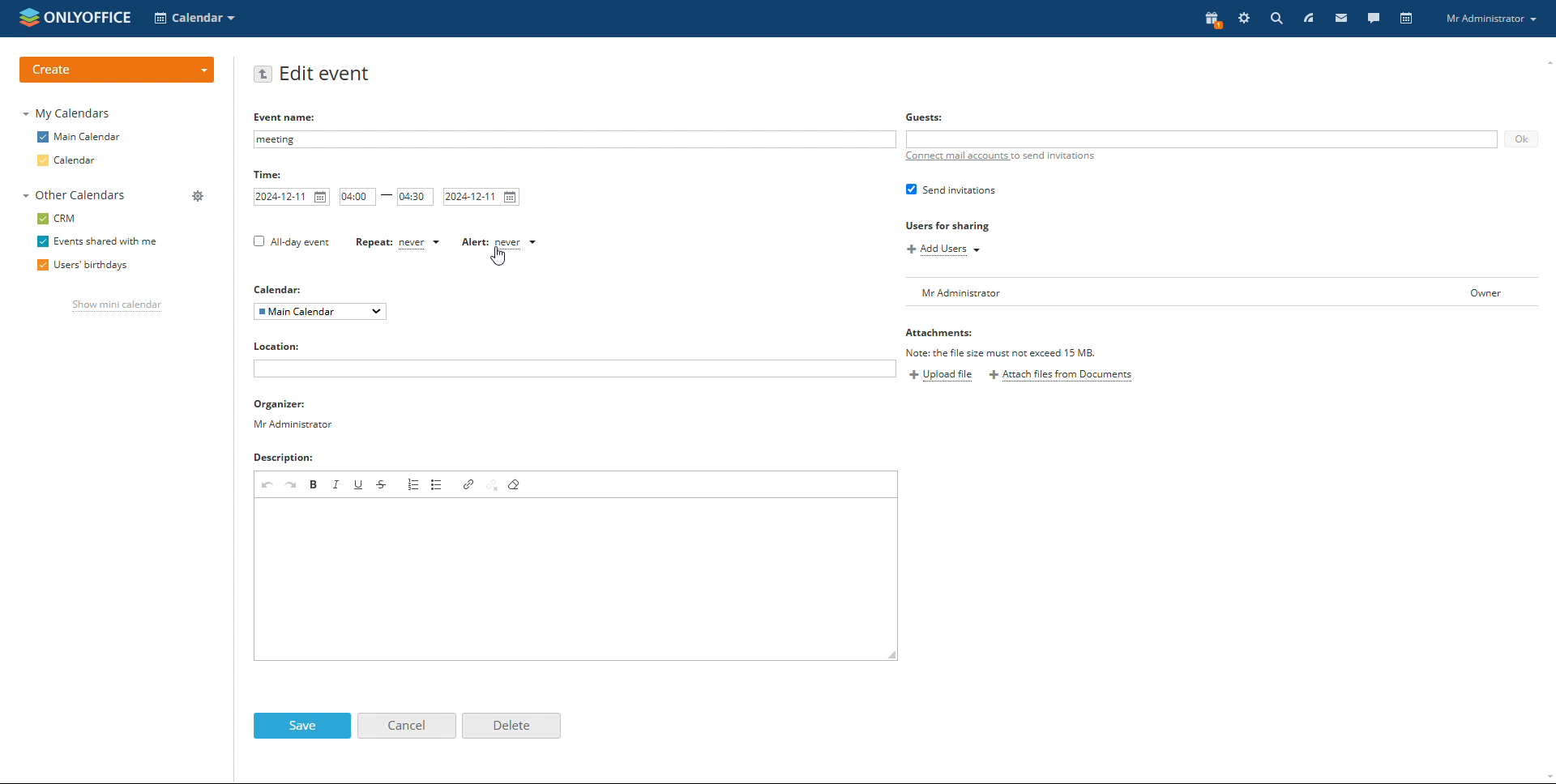  Describe the element at coordinates (1225, 292) in the screenshot. I see `user list` at that location.